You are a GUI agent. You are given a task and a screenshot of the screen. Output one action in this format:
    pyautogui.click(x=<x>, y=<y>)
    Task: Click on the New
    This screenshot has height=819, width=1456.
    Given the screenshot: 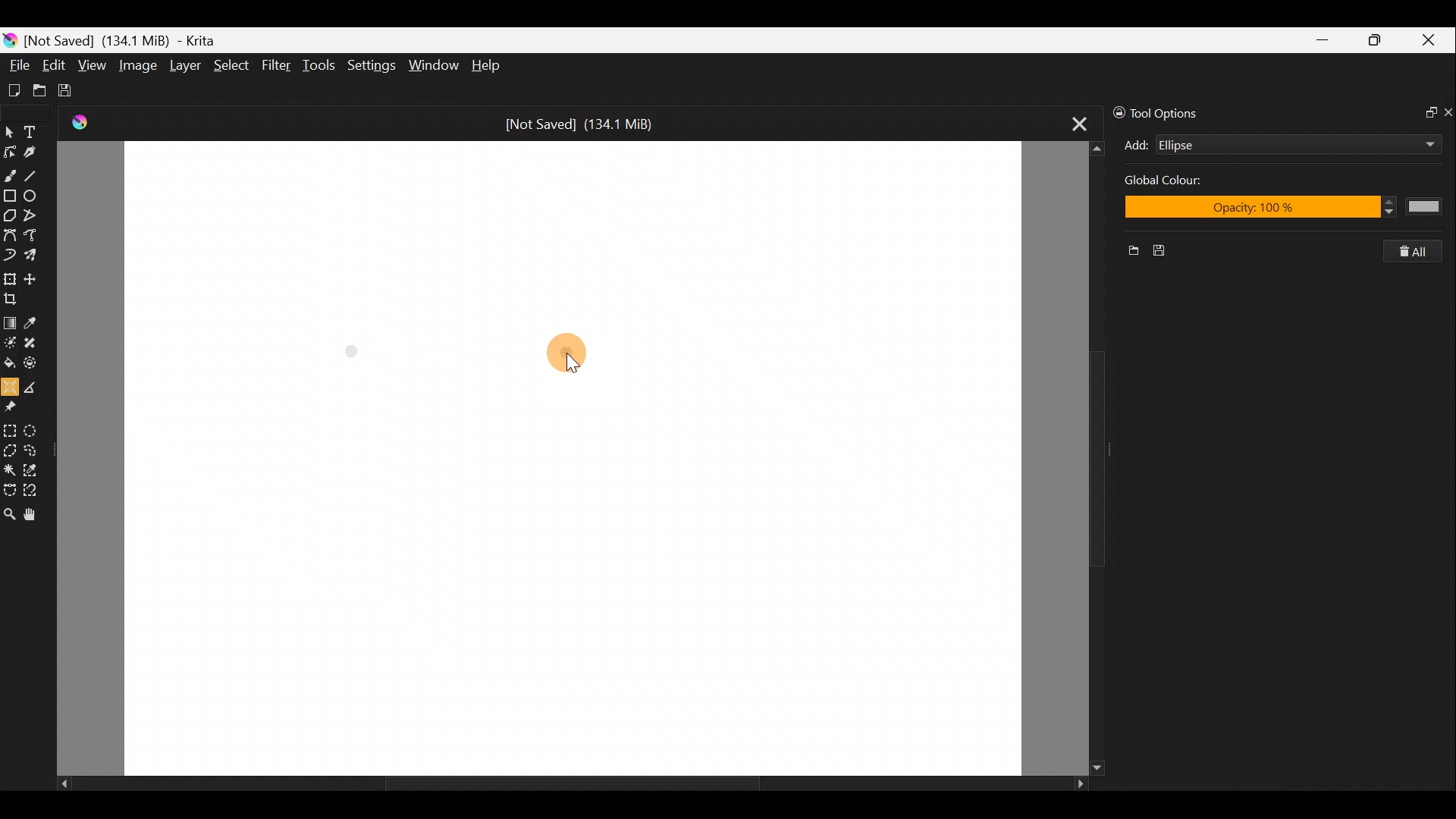 What is the action you would take?
    pyautogui.click(x=1128, y=253)
    